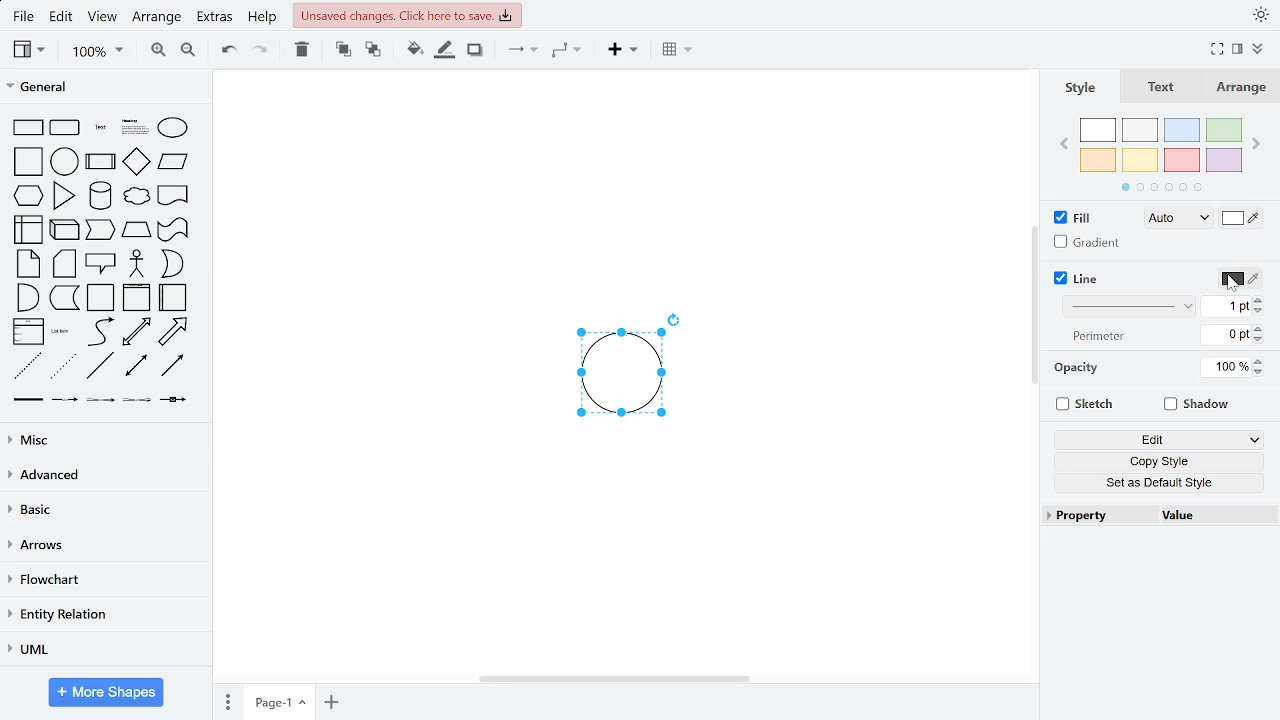  Describe the element at coordinates (24, 19) in the screenshot. I see `file` at that location.